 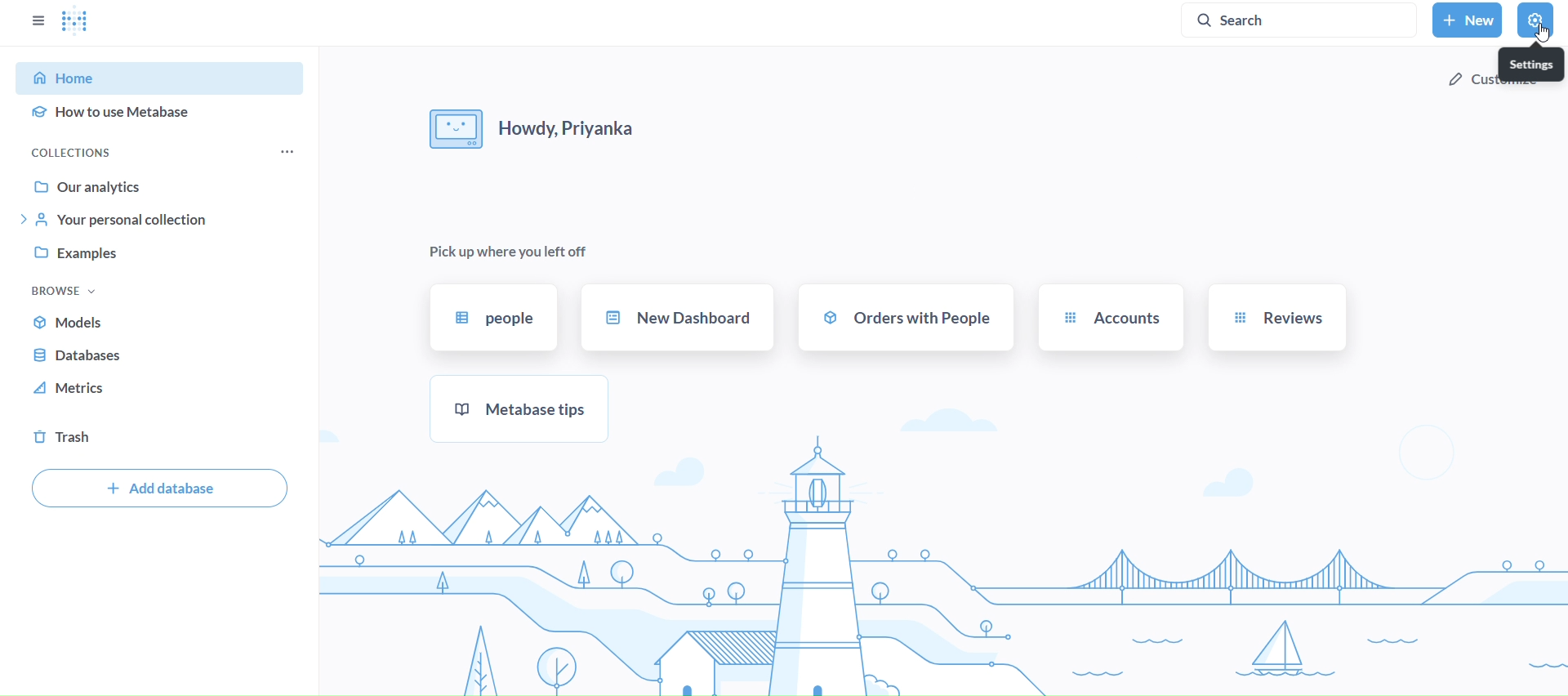 What do you see at coordinates (162, 113) in the screenshot?
I see `how to use metabase` at bounding box center [162, 113].